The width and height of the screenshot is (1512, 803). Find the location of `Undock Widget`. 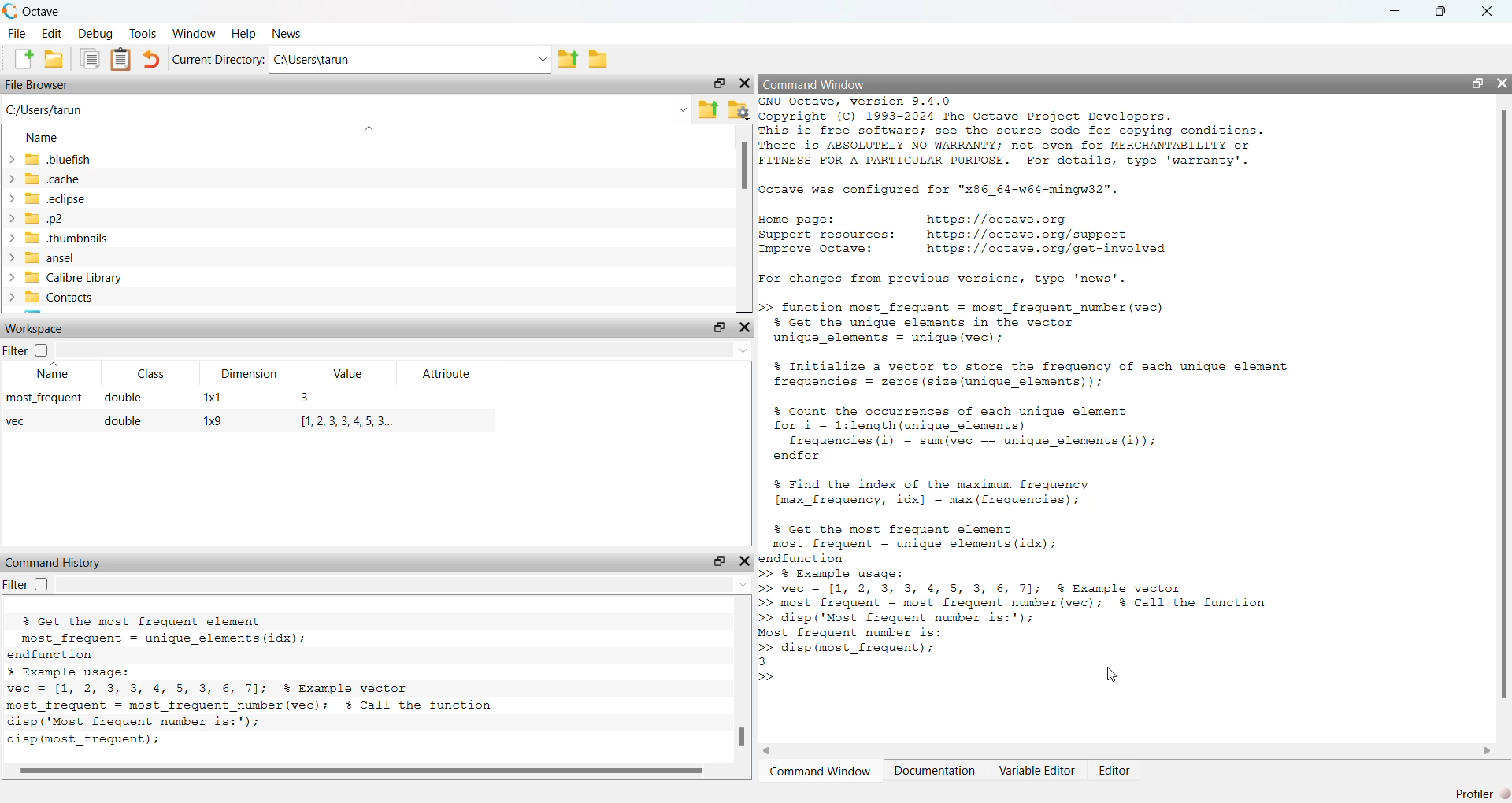

Undock Widget is located at coordinates (718, 83).